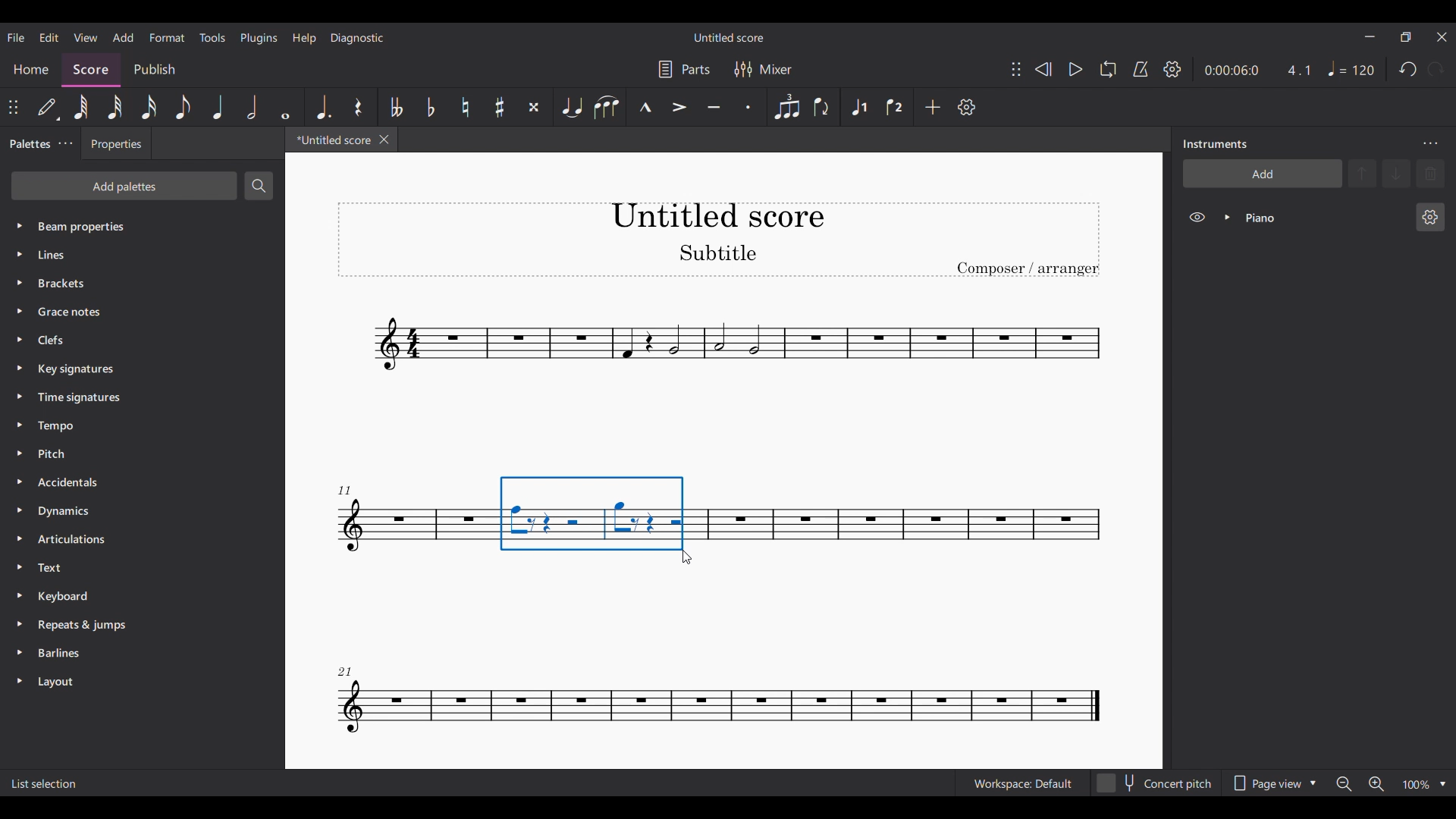  What do you see at coordinates (933, 107) in the screenshot?
I see `Add` at bounding box center [933, 107].